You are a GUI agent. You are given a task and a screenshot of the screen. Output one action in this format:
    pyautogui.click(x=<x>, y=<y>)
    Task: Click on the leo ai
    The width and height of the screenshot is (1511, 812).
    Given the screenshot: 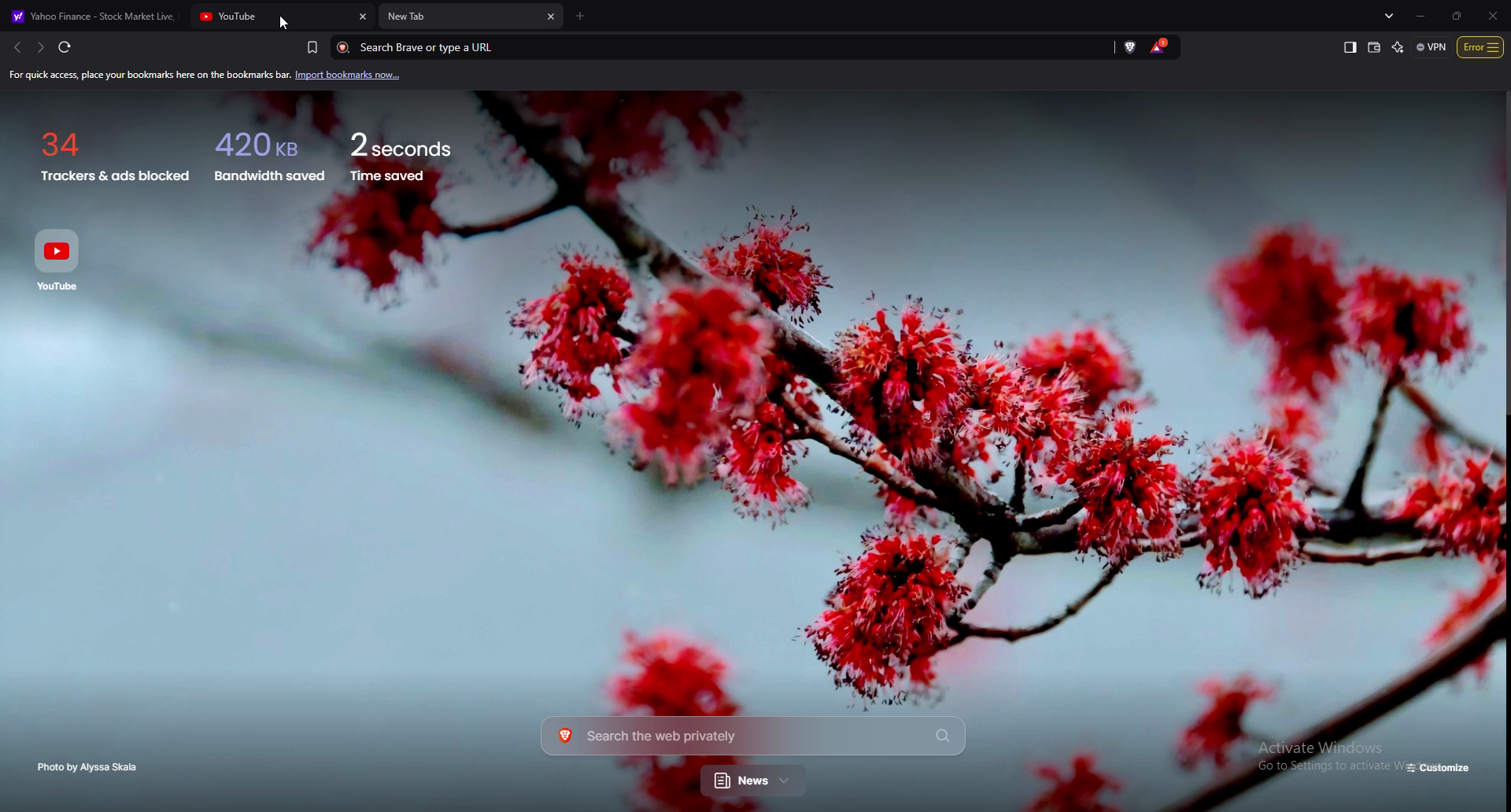 What is the action you would take?
    pyautogui.click(x=1398, y=47)
    